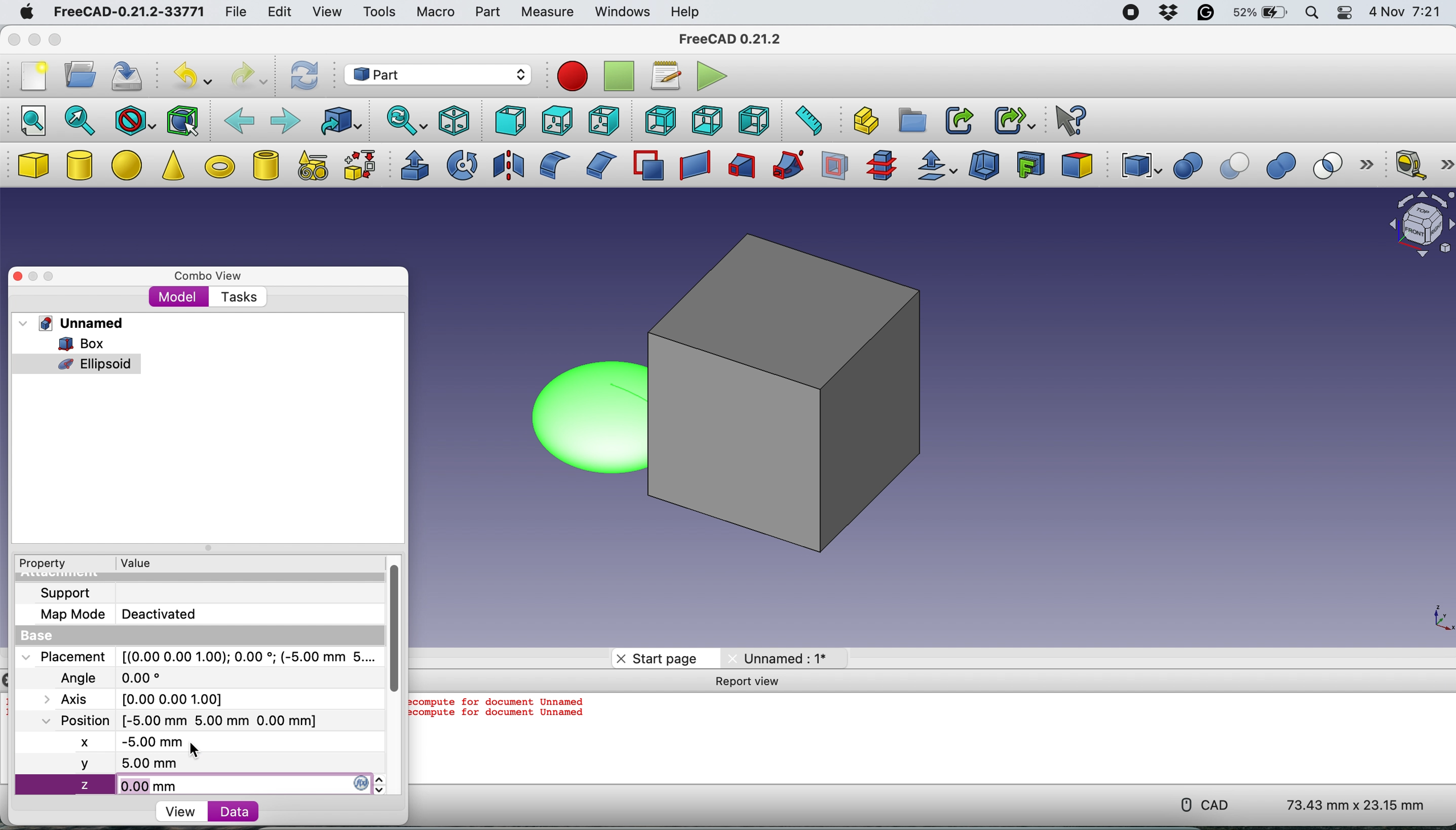  Describe the element at coordinates (740, 168) in the screenshot. I see `loft` at that location.